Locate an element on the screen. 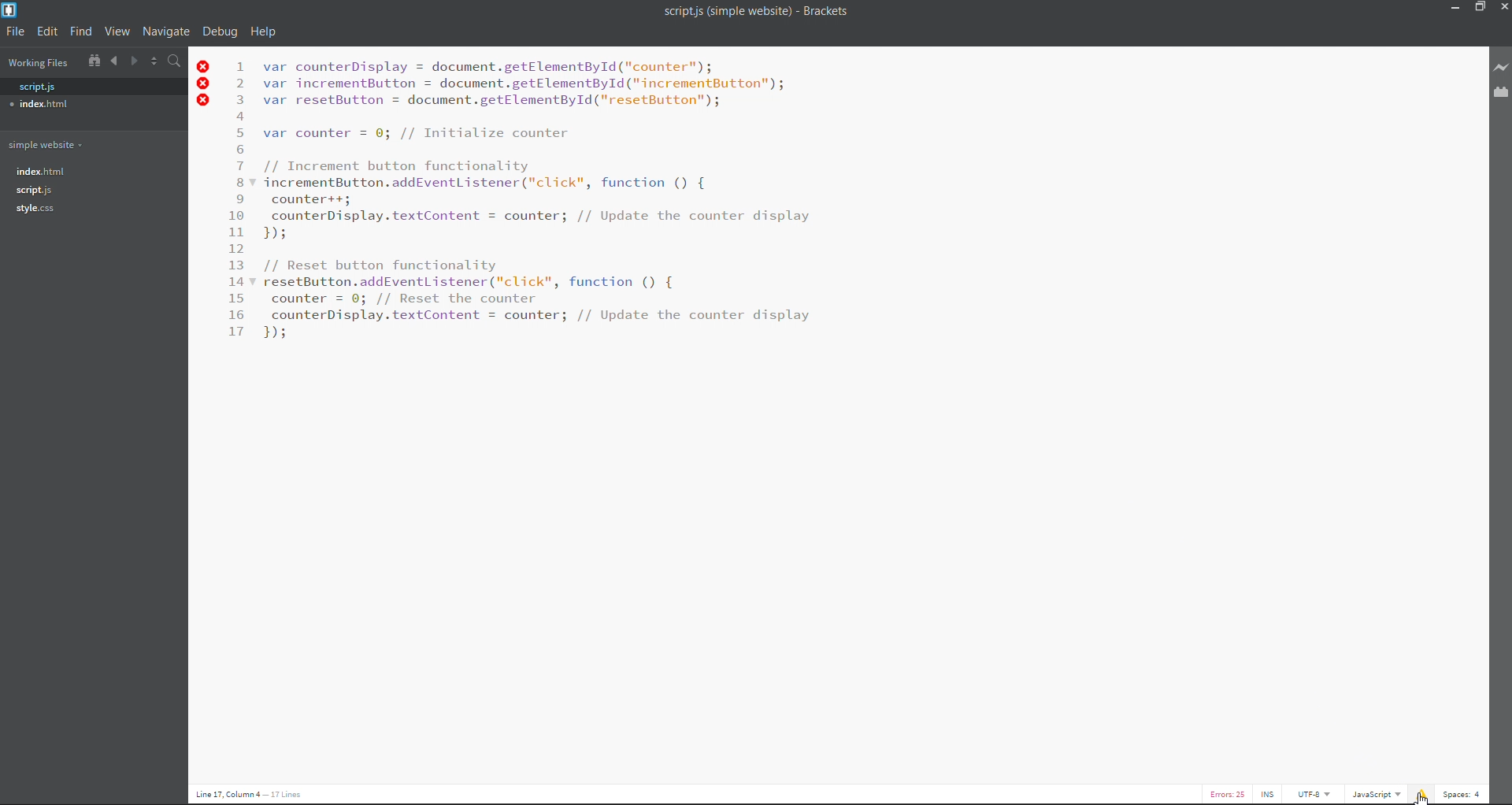  line number is located at coordinates (239, 202).